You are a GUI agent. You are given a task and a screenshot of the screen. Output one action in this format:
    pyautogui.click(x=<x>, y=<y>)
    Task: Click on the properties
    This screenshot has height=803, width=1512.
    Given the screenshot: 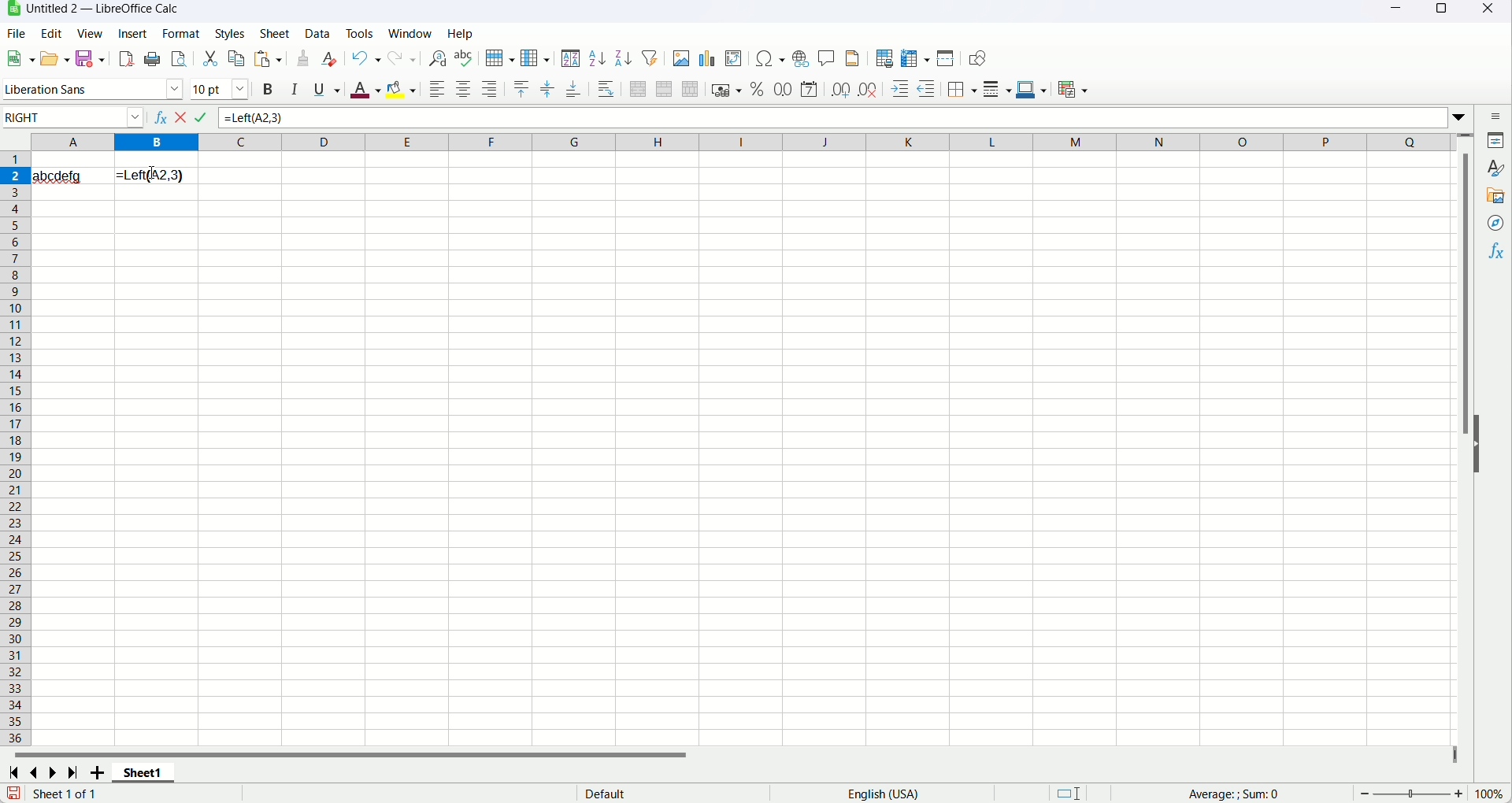 What is the action you would take?
    pyautogui.click(x=1492, y=140)
    